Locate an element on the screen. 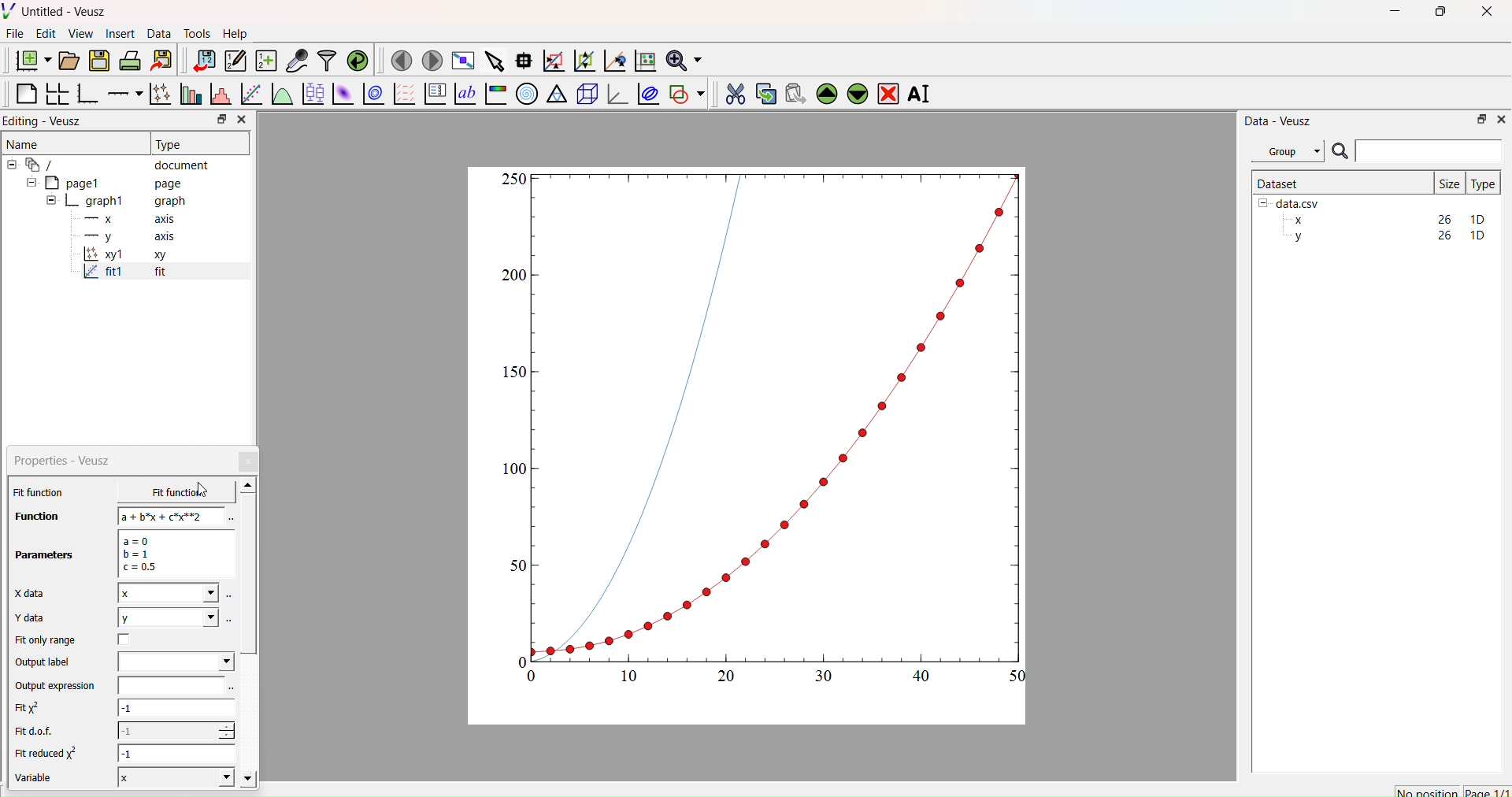 This screenshot has width=1512, height=797. Name is located at coordinates (24, 143).